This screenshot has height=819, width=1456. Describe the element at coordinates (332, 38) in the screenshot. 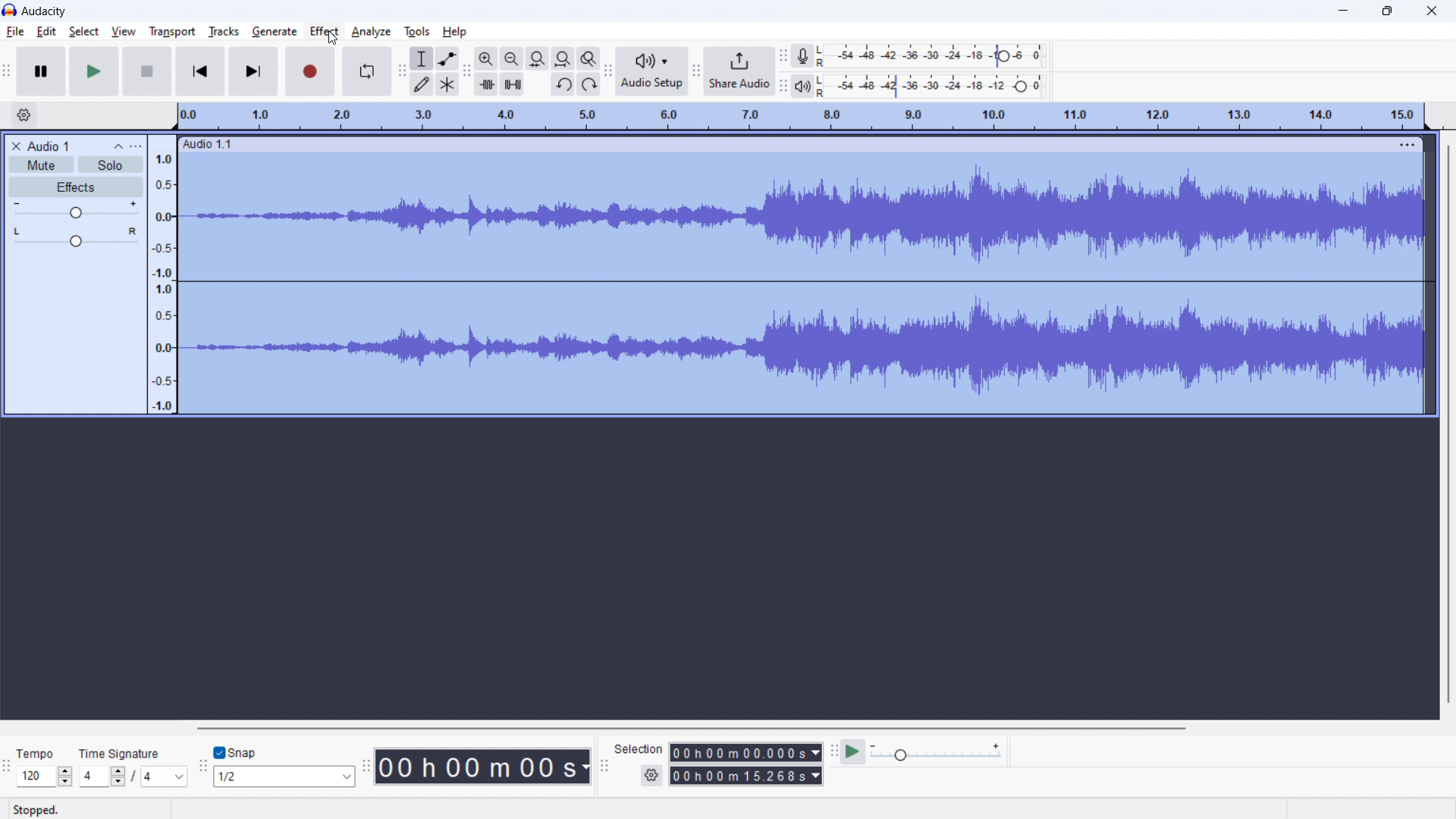

I see `cursor` at that location.